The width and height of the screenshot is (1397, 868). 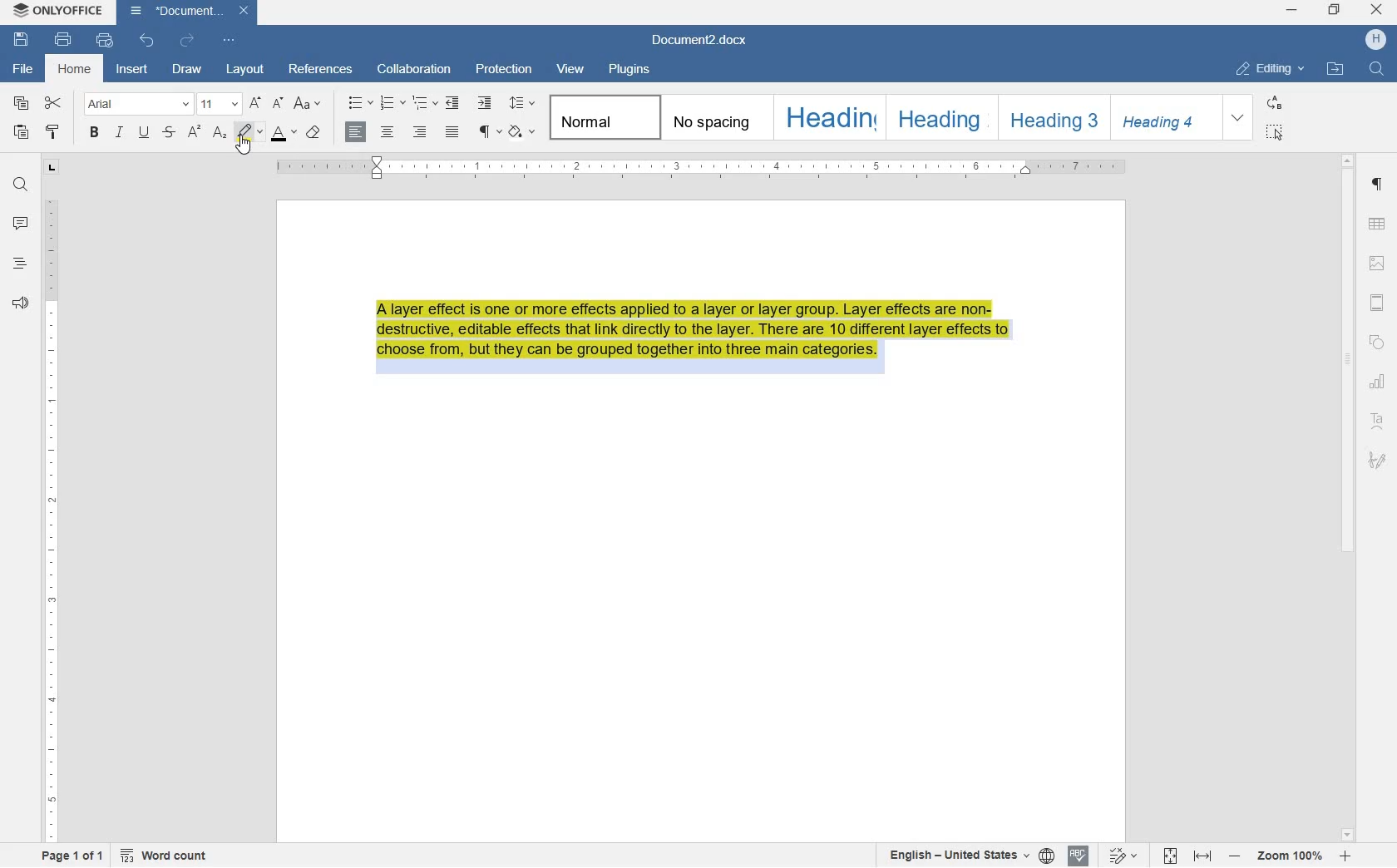 What do you see at coordinates (1377, 381) in the screenshot?
I see `chart` at bounding box center [1377, 381].